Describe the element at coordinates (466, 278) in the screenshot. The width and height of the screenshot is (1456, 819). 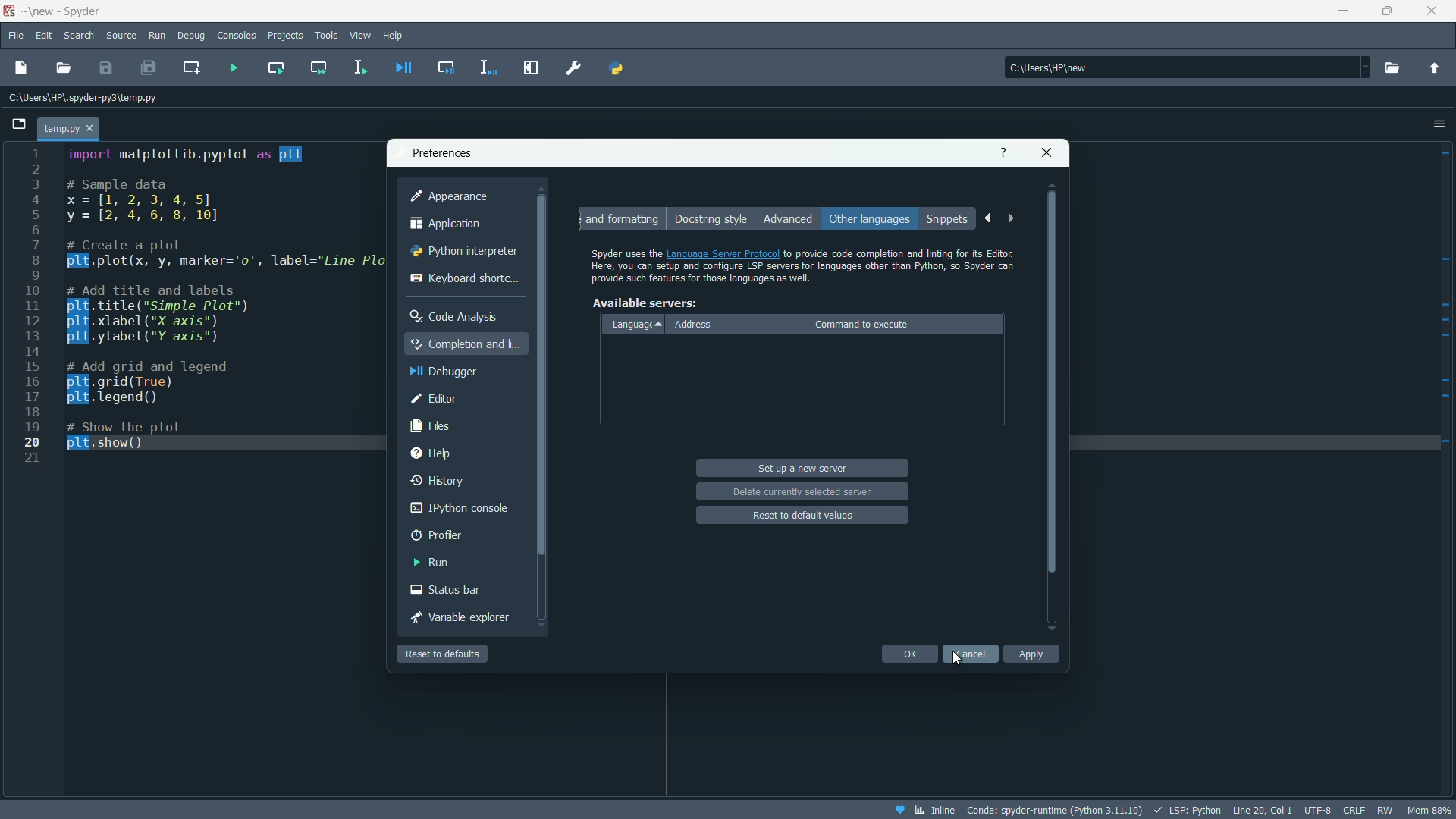
I see `keyboard shortcut` at that location.